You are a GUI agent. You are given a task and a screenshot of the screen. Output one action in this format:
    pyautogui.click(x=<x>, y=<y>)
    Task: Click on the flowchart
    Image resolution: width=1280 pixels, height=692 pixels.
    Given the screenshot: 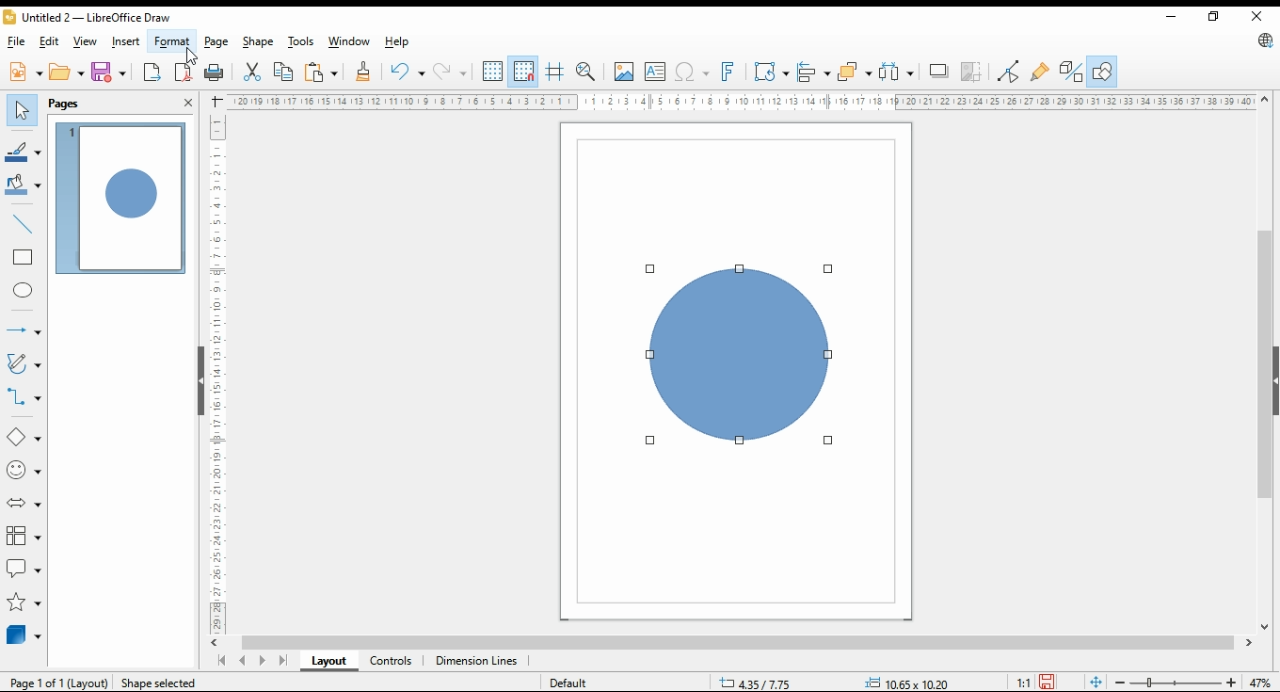 What is the action you would take?
    pyautogui.click(x=23, y=536)
    